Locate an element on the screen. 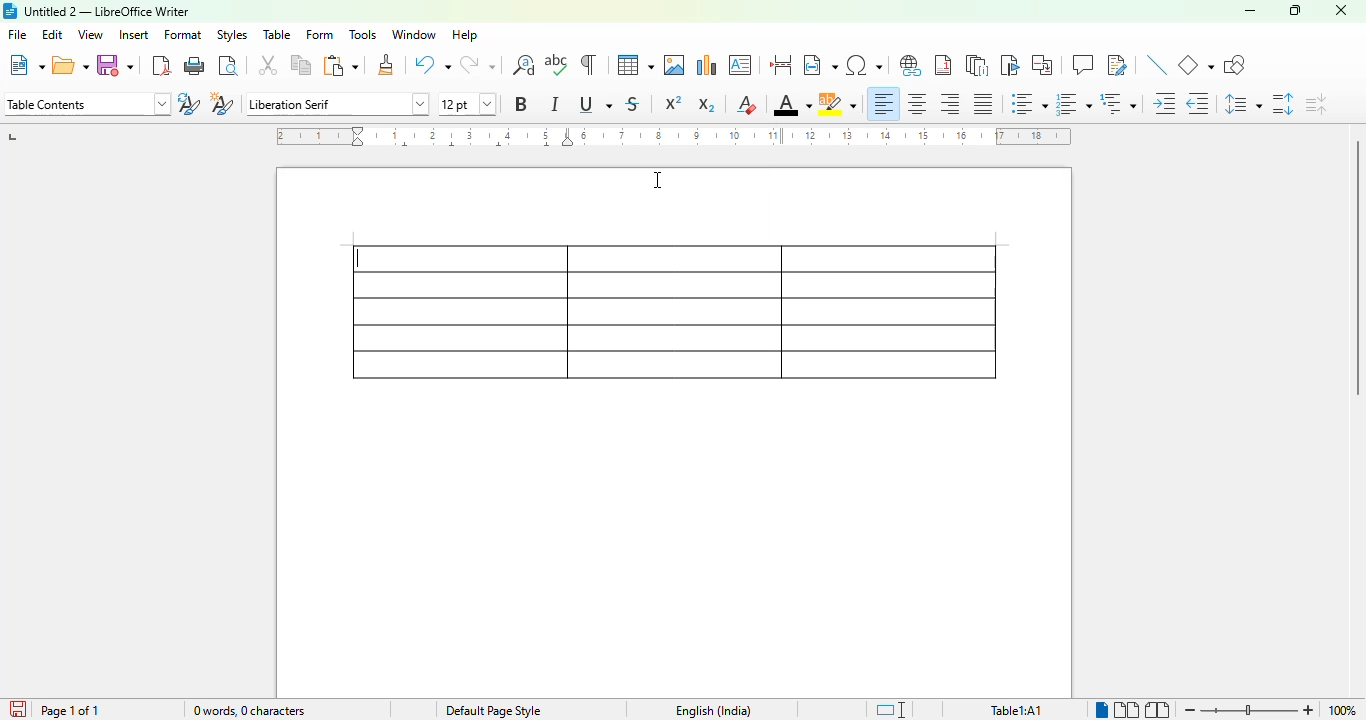 The image size is (1366, 720). close is located at coordinates (1342, 10).